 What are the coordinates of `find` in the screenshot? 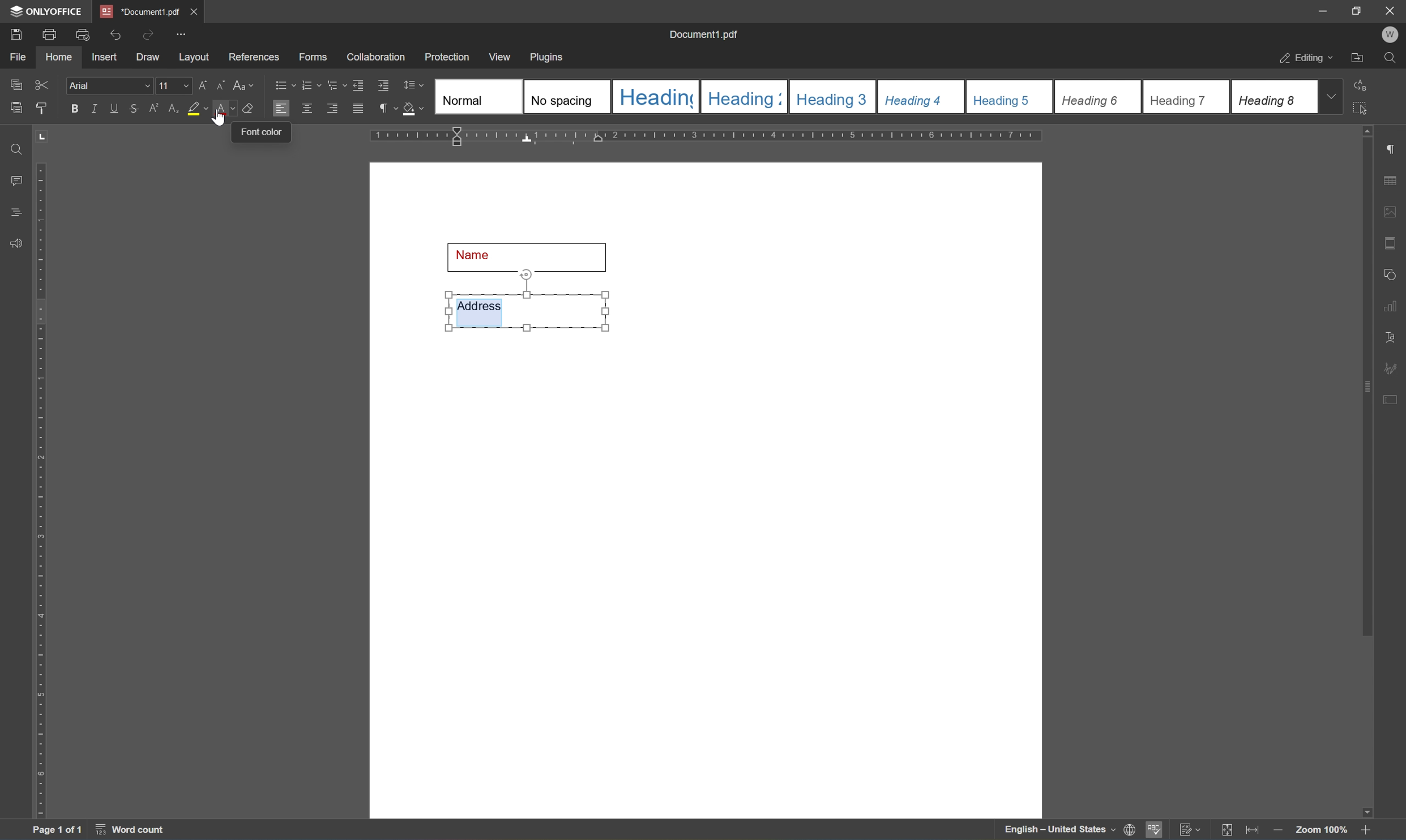 It's located at (1390, 58).